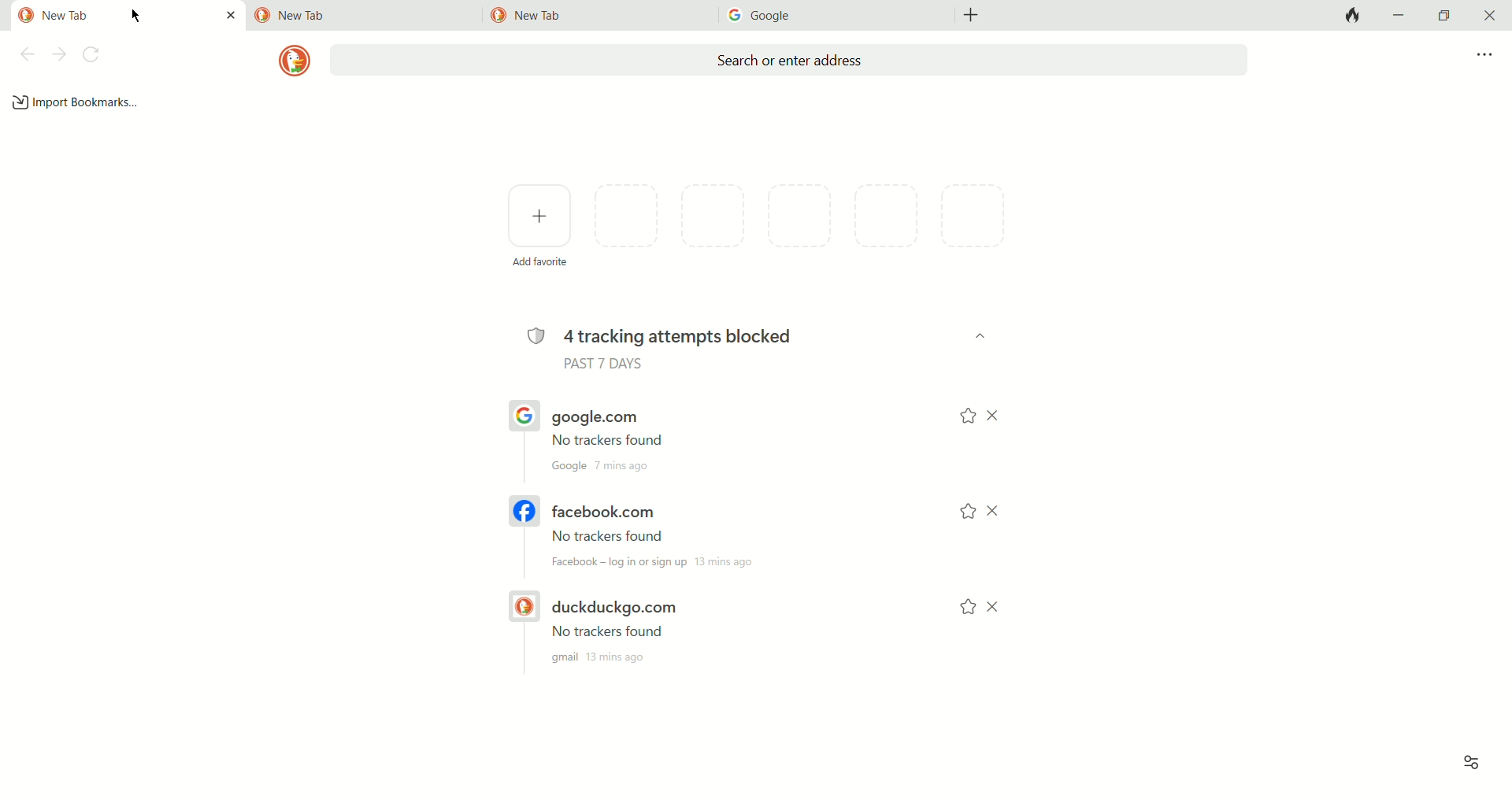  I want to click on search, so click(790, 59).